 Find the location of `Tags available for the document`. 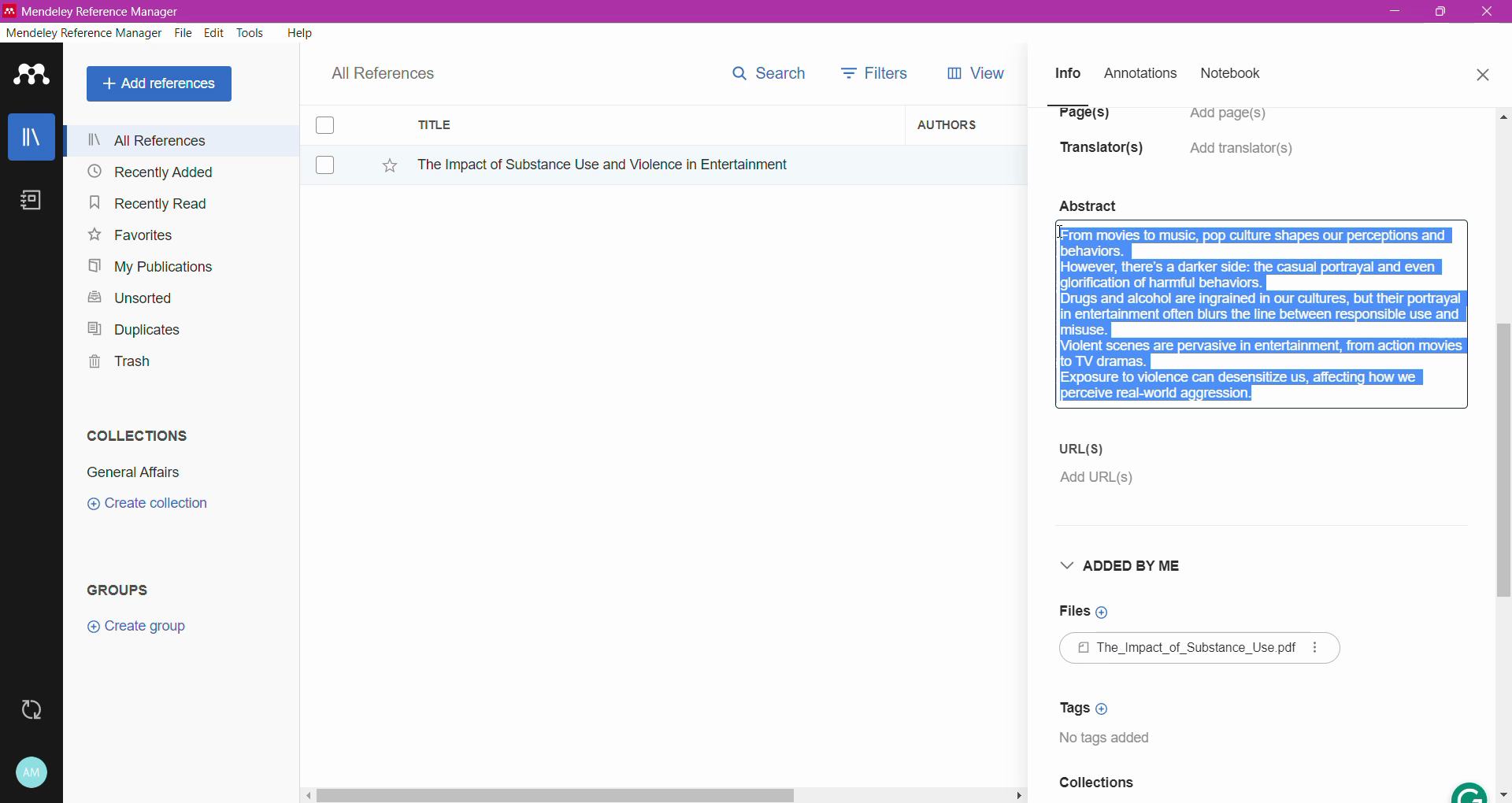

Tags available for the document is located at coordinates (1111, 742).